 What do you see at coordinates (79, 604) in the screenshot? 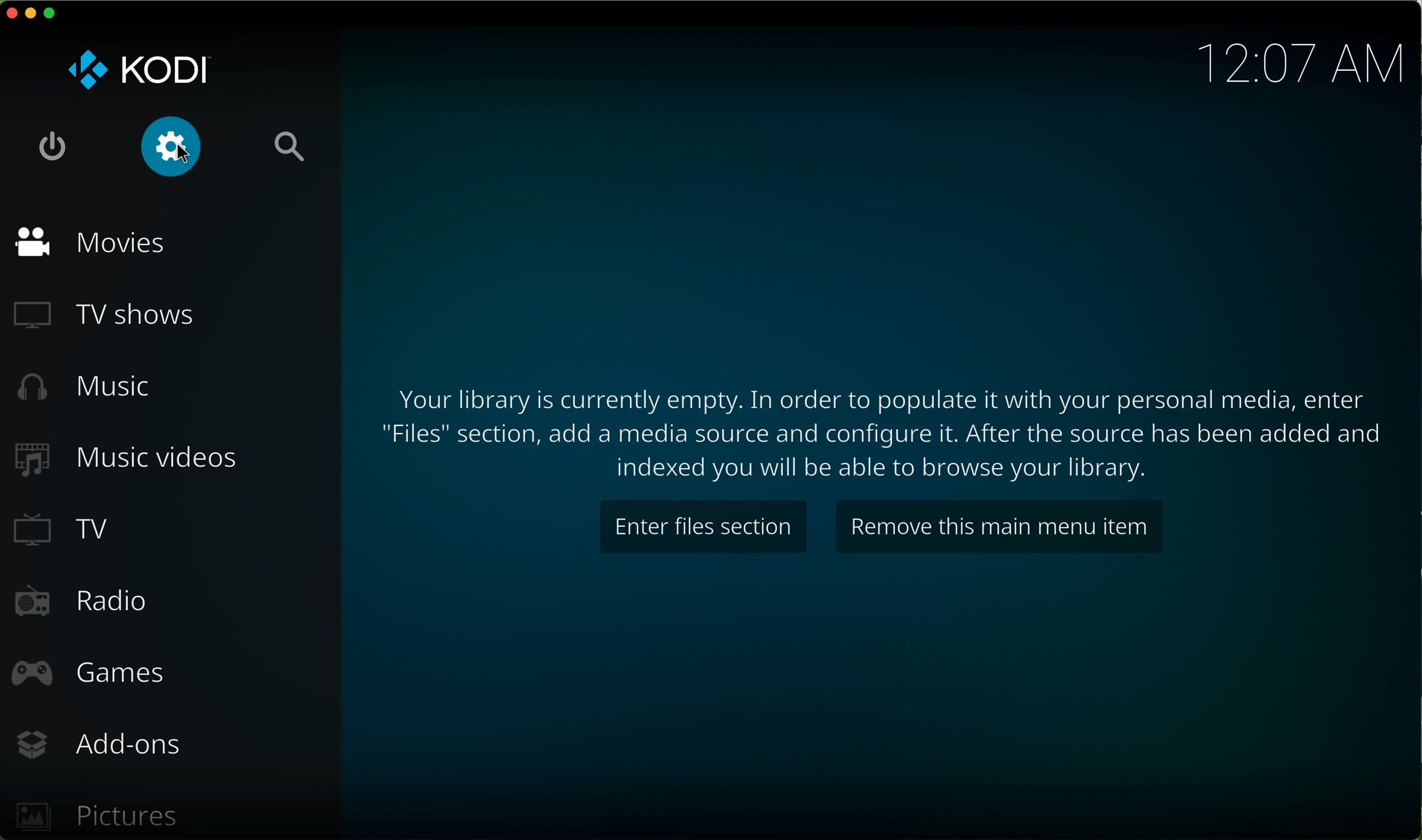
I see `radio` at bounding box center [79, 604].